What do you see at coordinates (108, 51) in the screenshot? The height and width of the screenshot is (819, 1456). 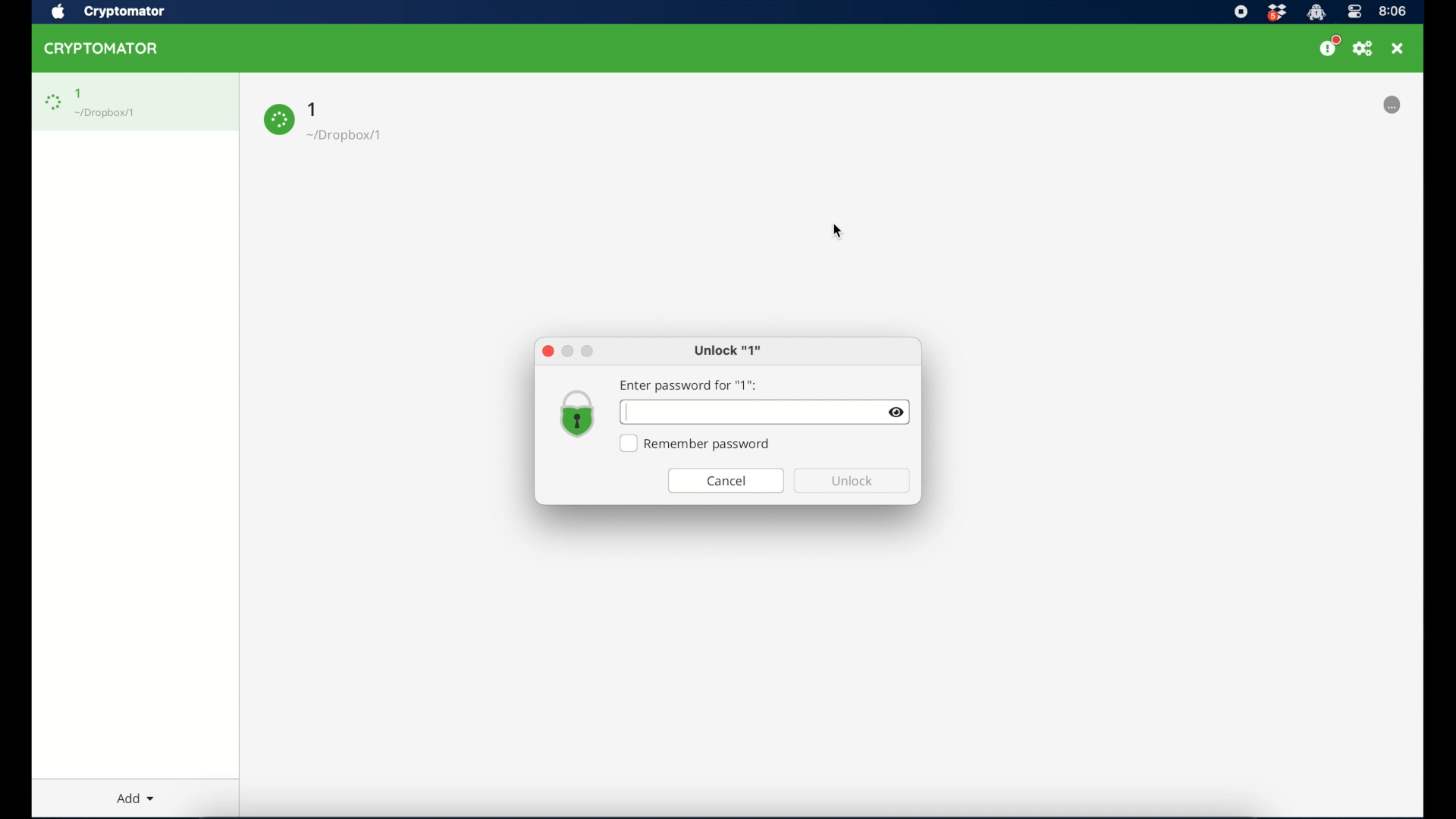 I see `CRYPTOMATOR` at bounding box center [108, 51].